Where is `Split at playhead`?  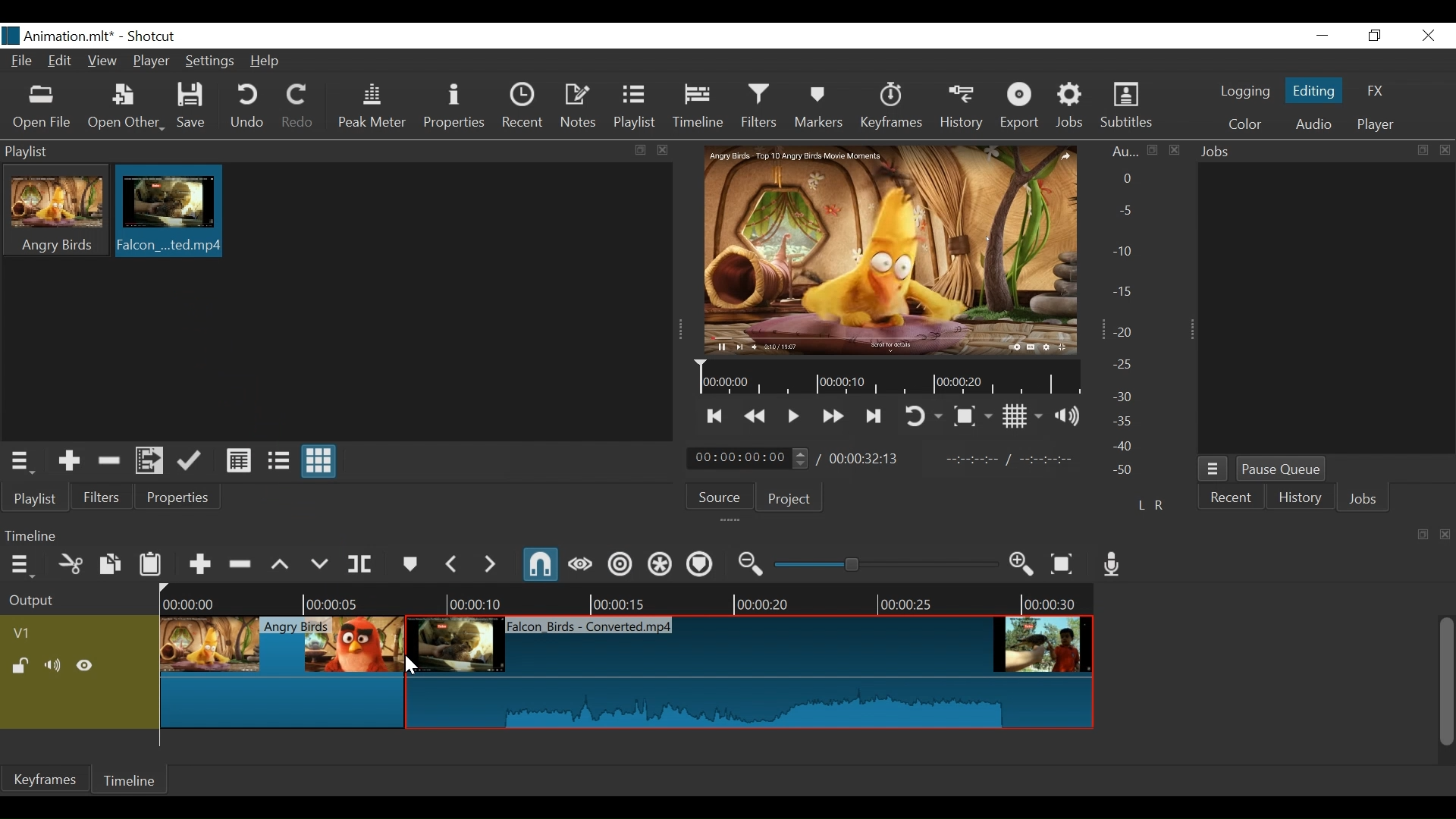 Split at playhead is located at coordinates (360, 563).